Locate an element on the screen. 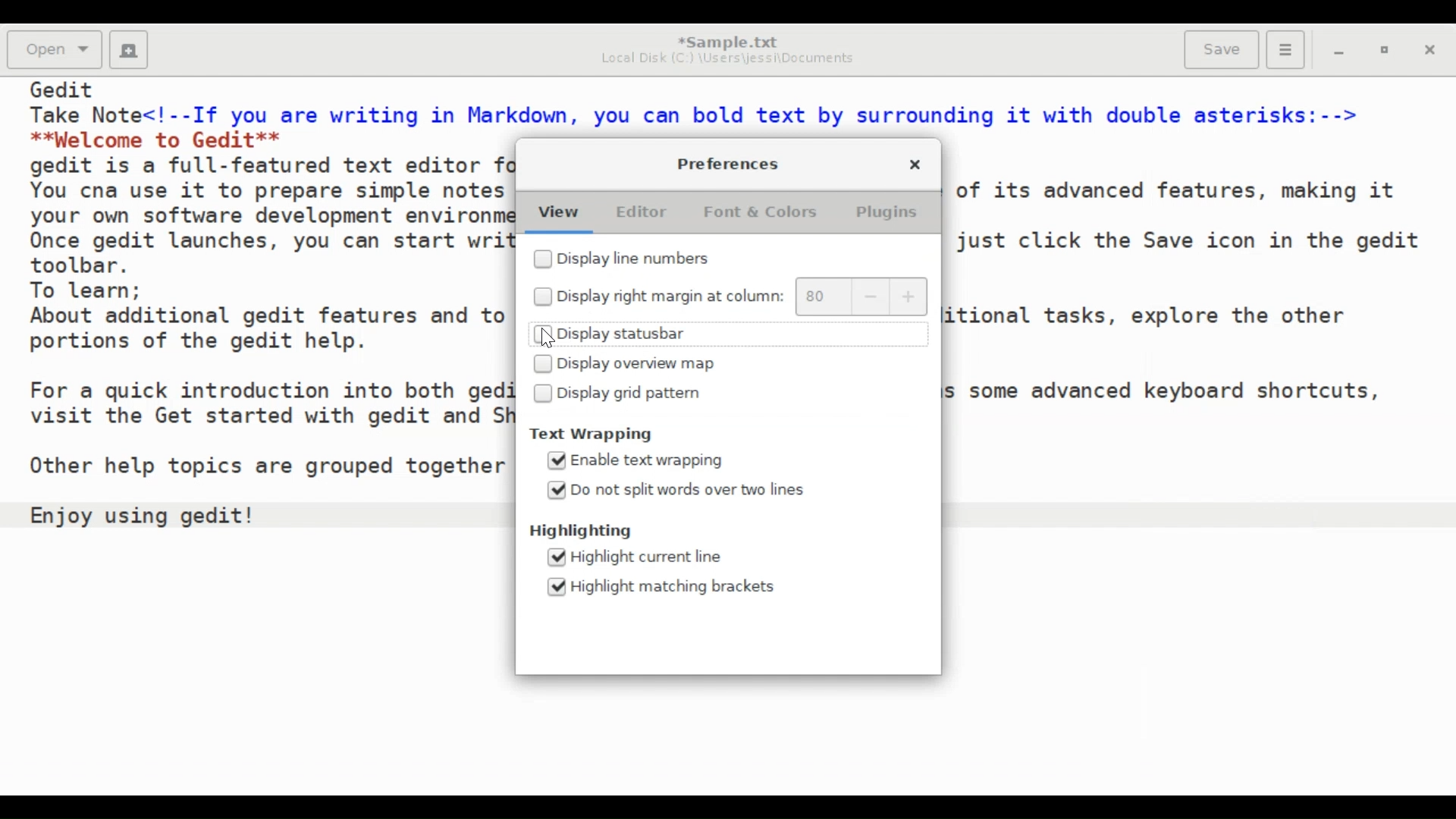 Image resolution: width=1456 pixels, height=819 pixels. Save is located at coordinates (1221, 50).